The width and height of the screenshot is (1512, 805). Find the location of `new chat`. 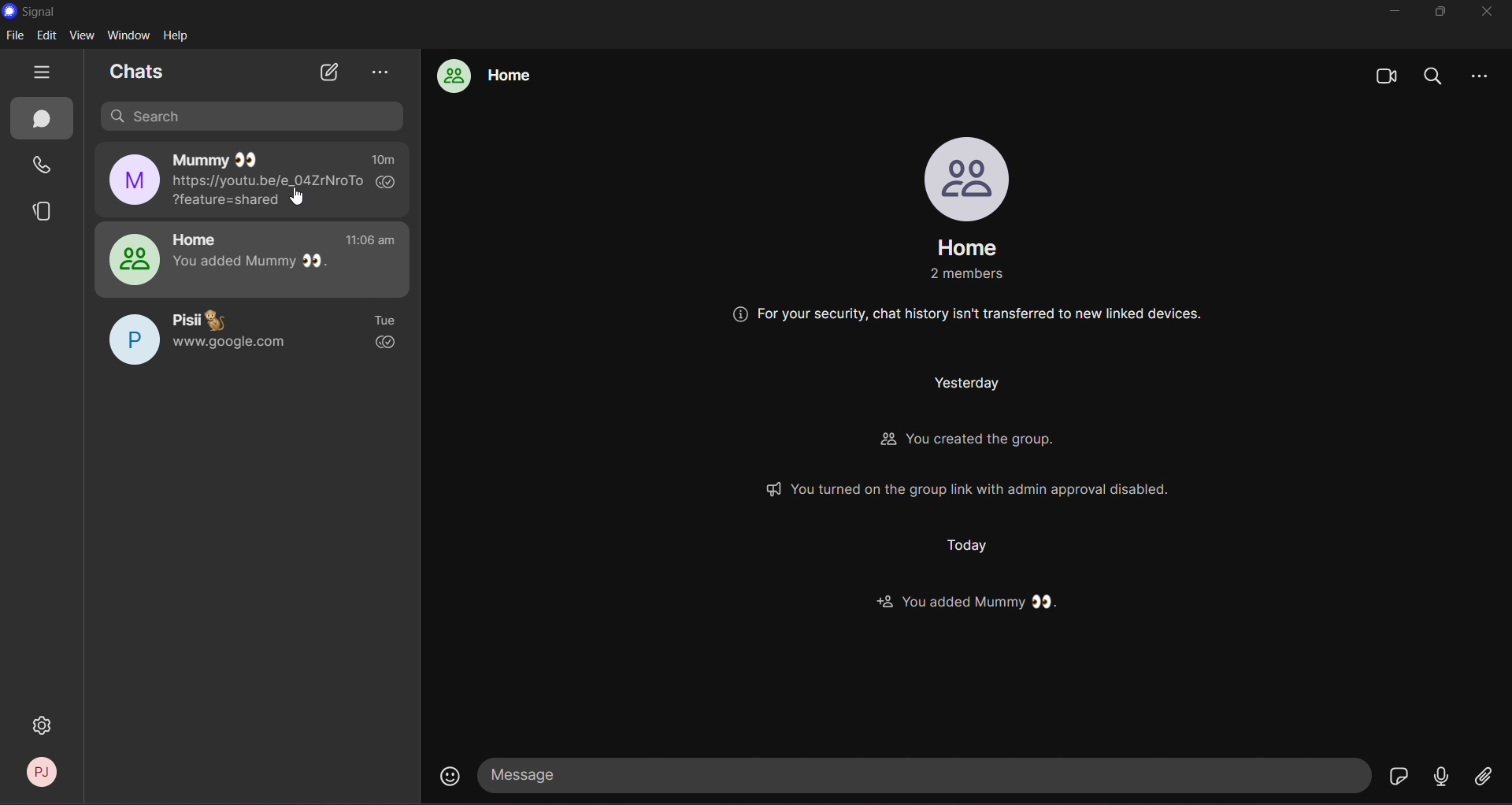

new chat is located at coordinates (328, 73).